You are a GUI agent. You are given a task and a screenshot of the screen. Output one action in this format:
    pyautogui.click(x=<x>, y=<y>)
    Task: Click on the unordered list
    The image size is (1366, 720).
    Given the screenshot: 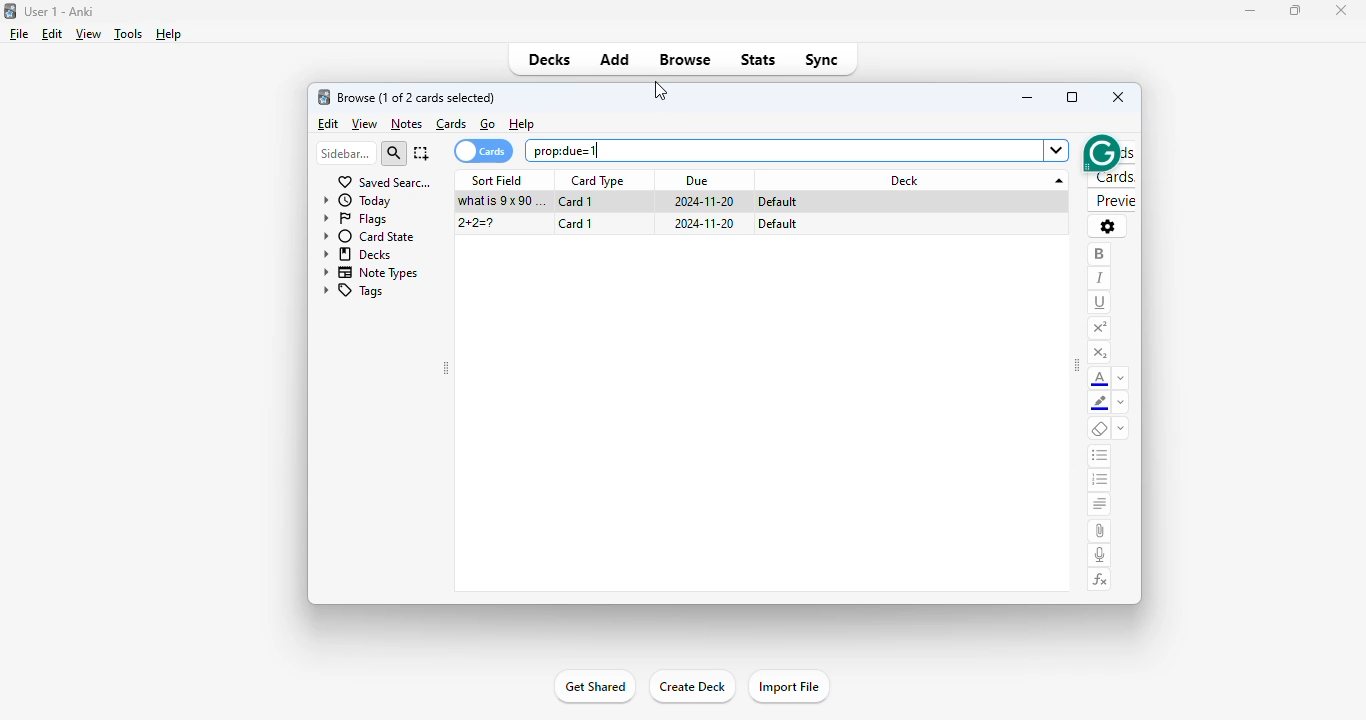 What is the action you would take?
    pyautogui.click(x=1100, y=457)
    